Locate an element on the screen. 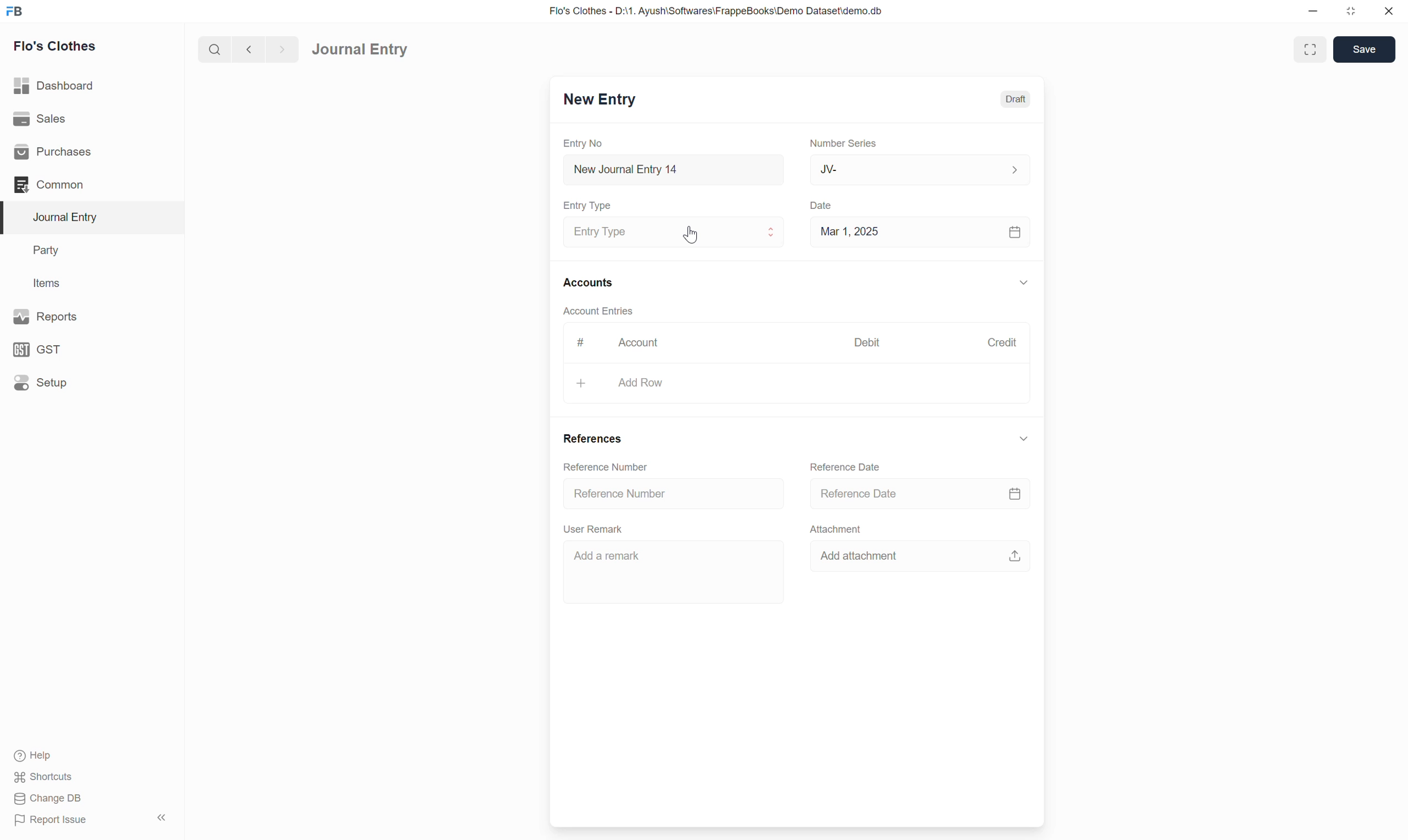 This screenshot has width=1408, height=840. Accounts is located at coordinates (590, 283).